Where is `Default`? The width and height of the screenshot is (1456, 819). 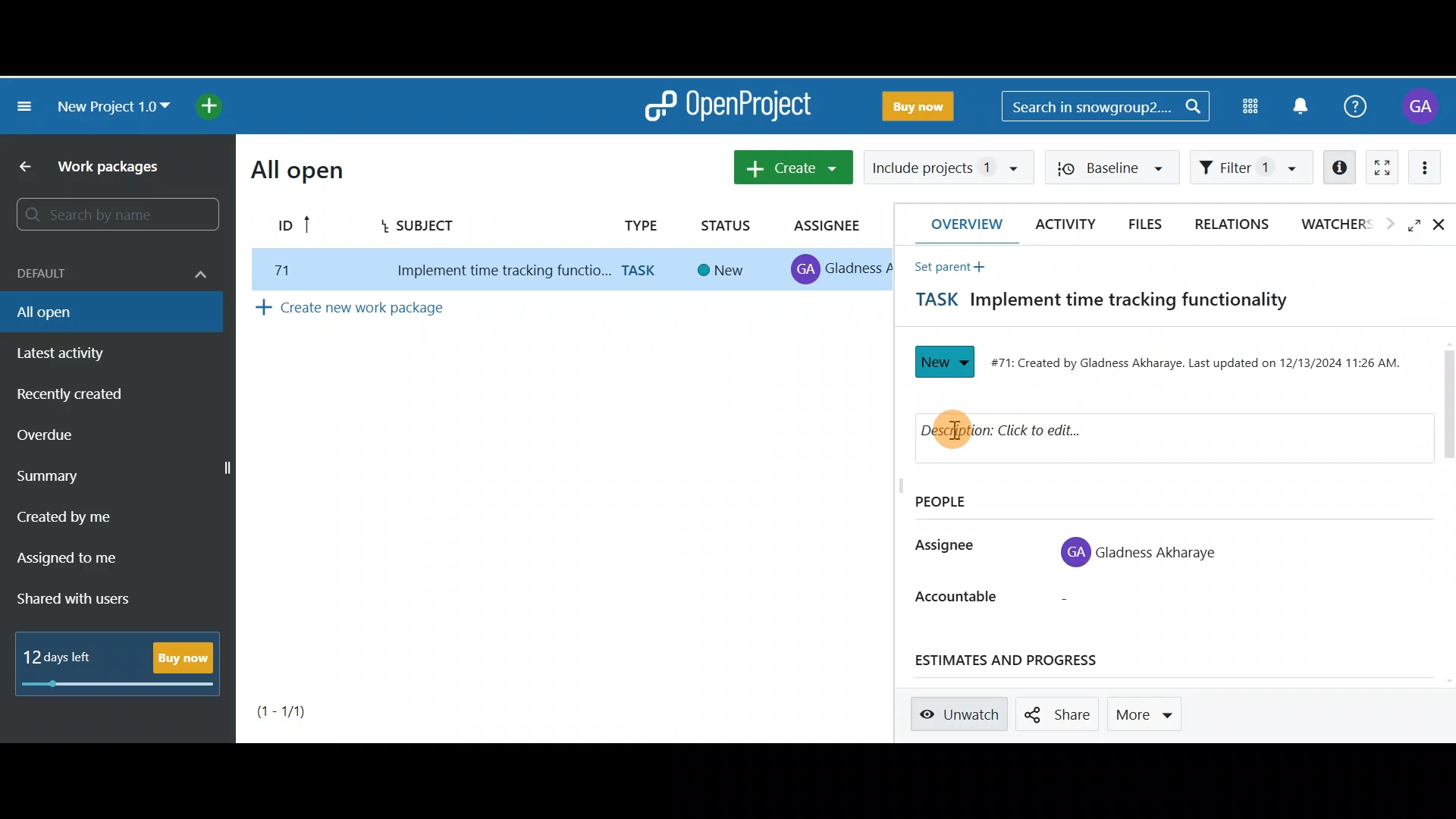
Default is located at coordinates (109, 271).